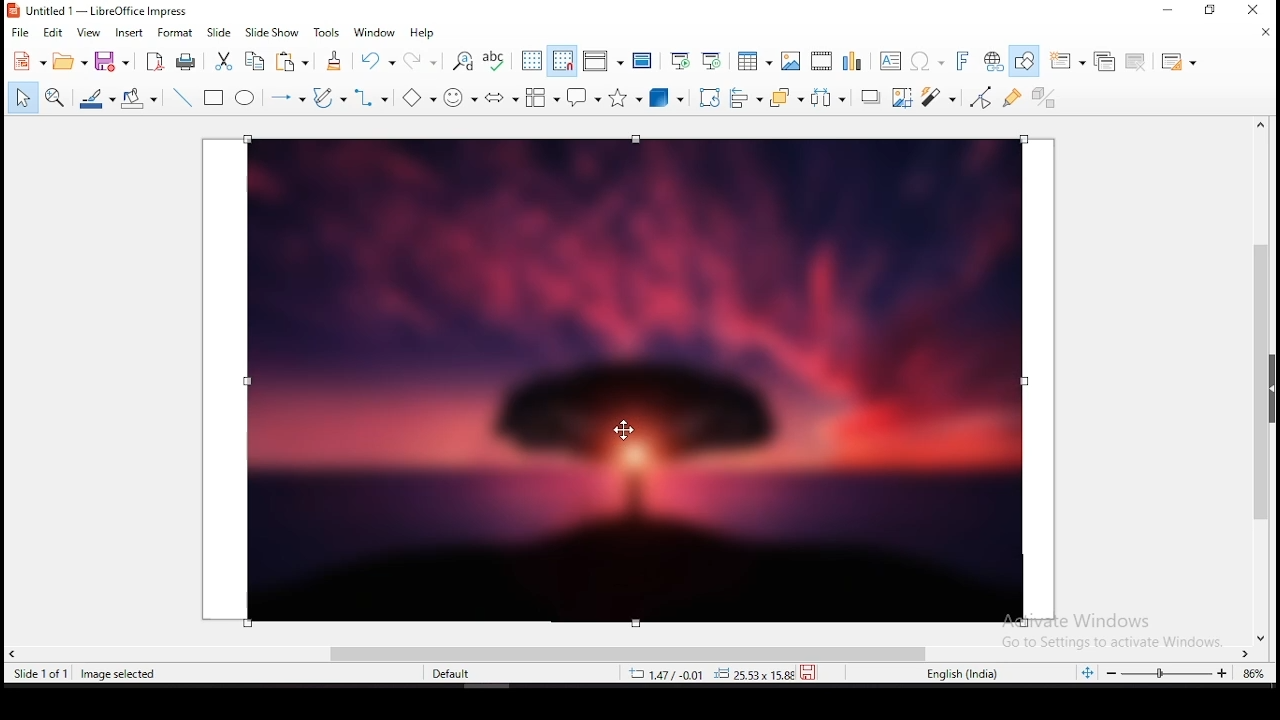  I want to click on  slide layout, so click(1178, 62).